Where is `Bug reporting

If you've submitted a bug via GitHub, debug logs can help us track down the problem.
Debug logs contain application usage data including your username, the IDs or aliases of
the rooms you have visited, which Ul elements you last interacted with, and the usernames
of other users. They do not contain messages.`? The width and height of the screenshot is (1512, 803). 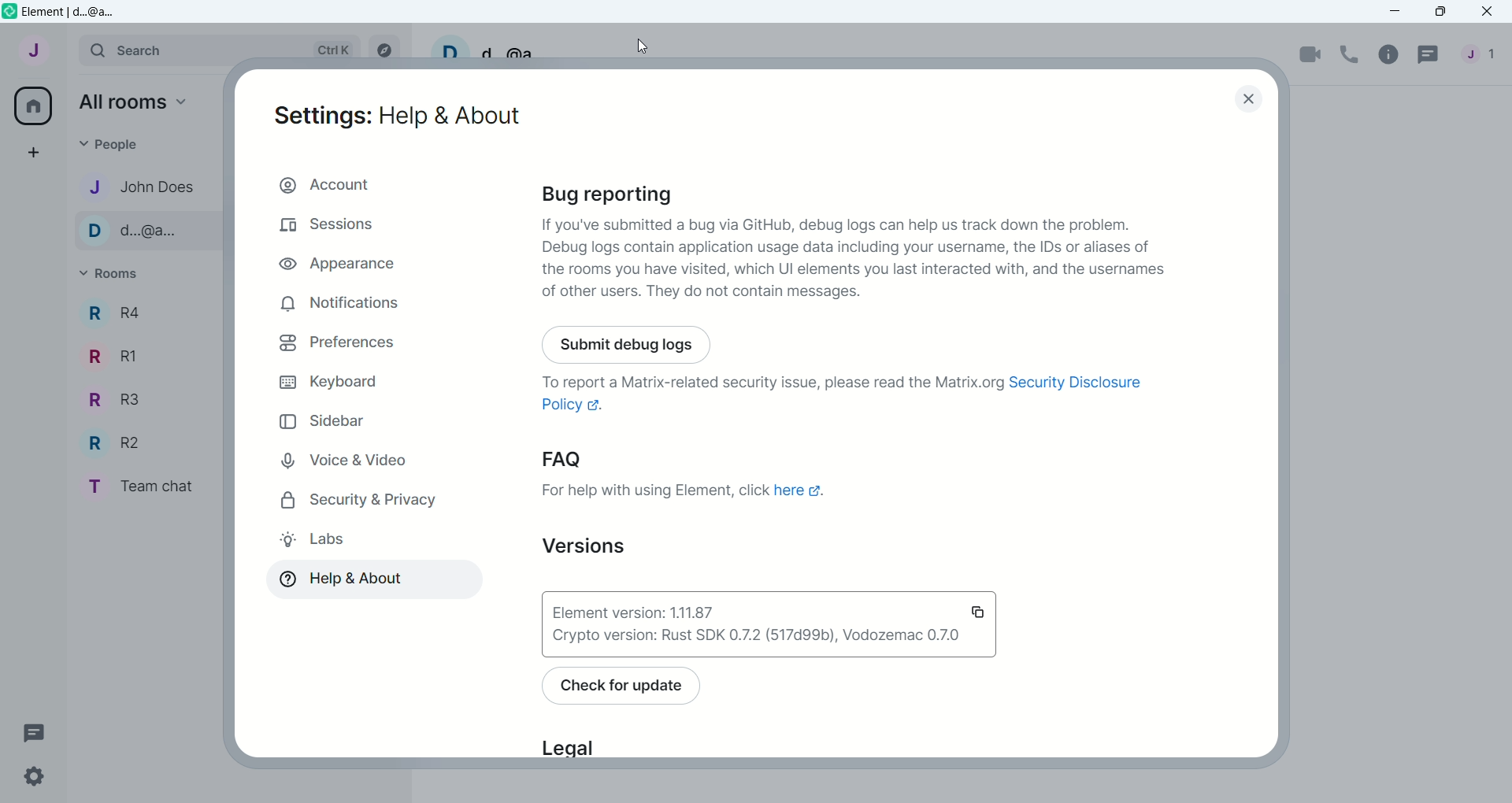 Bug reporting

If you've submitted a bug via GitHub, debug logs can help us track down the problem.
Debug logs contain application usage data including your username, the IDs or aliases of
the rooms you have visited, which Ul elements you last interacted with, and the usernames
of other users. They do not contain messages. is located at coordinates (862, 242).